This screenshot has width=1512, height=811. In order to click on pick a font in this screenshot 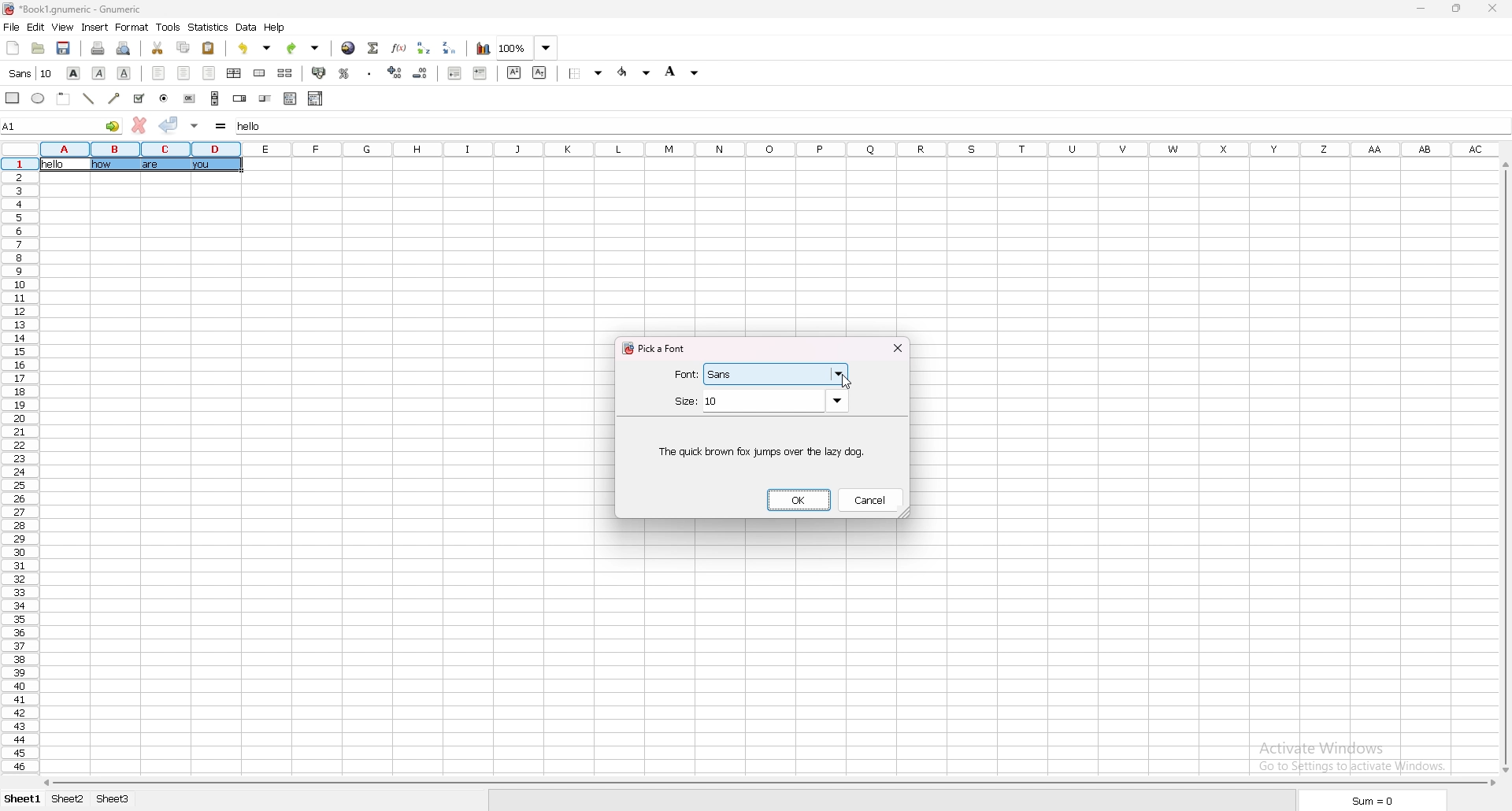, I will do `click(659, 349)`.